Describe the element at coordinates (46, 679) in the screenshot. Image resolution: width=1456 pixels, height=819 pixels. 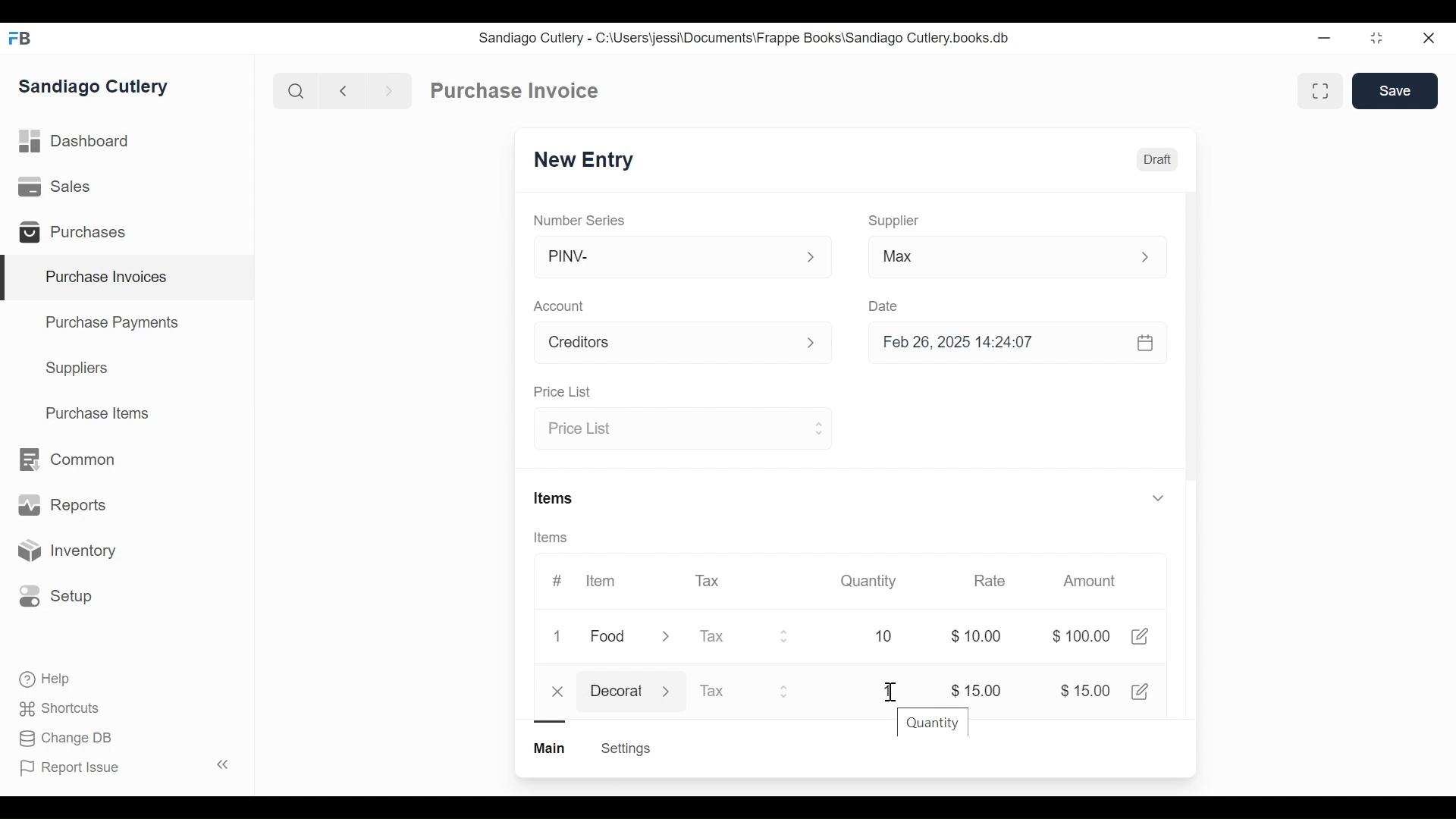
I see `Help` at that location.